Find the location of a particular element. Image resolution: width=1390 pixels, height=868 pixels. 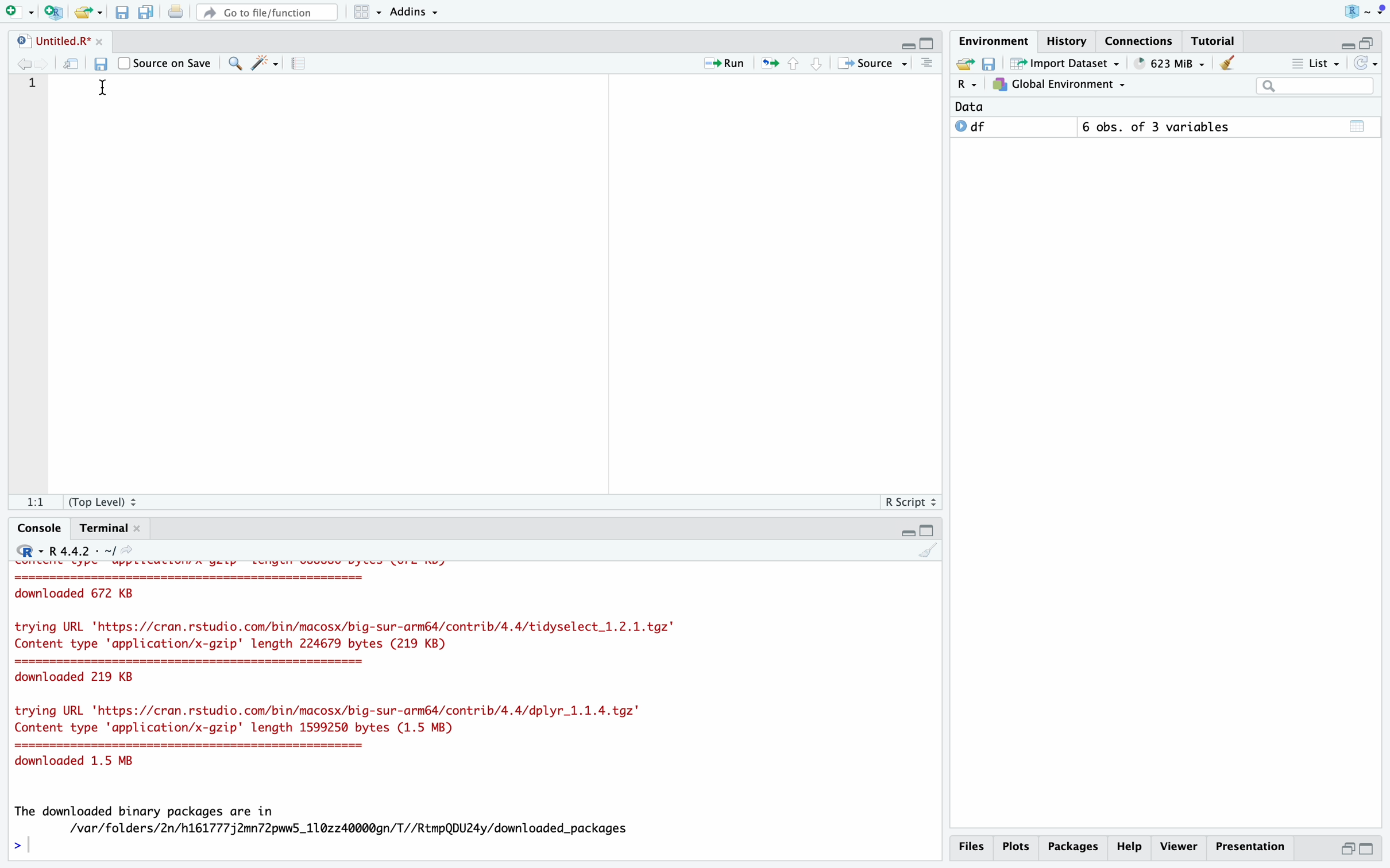

(Top Level) is located at coordinates (105, 501).